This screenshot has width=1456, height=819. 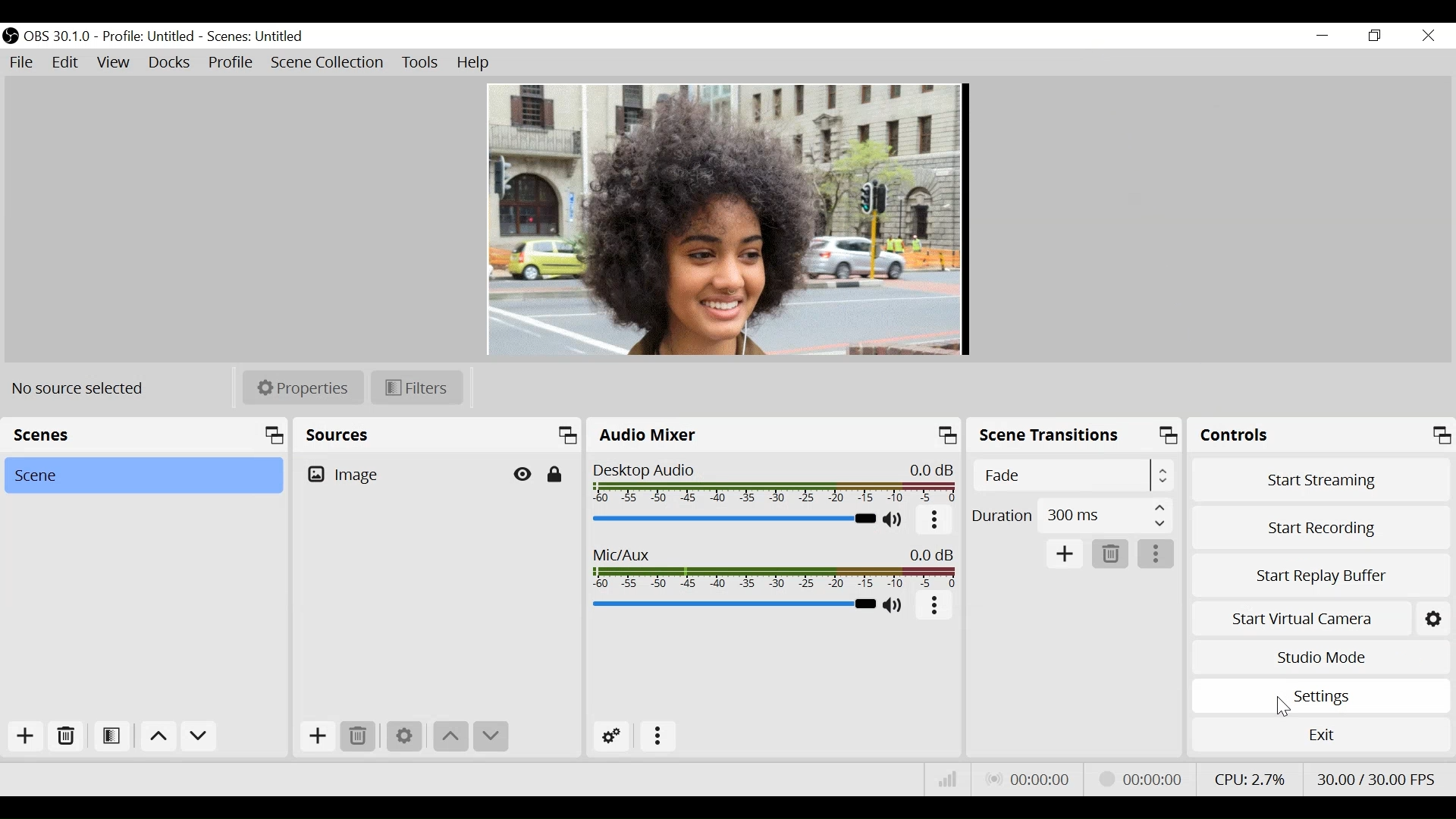 What do you see at coordinates (143, 476) in the screenshot?
I see `Scene` at bounding box center [143, 476].